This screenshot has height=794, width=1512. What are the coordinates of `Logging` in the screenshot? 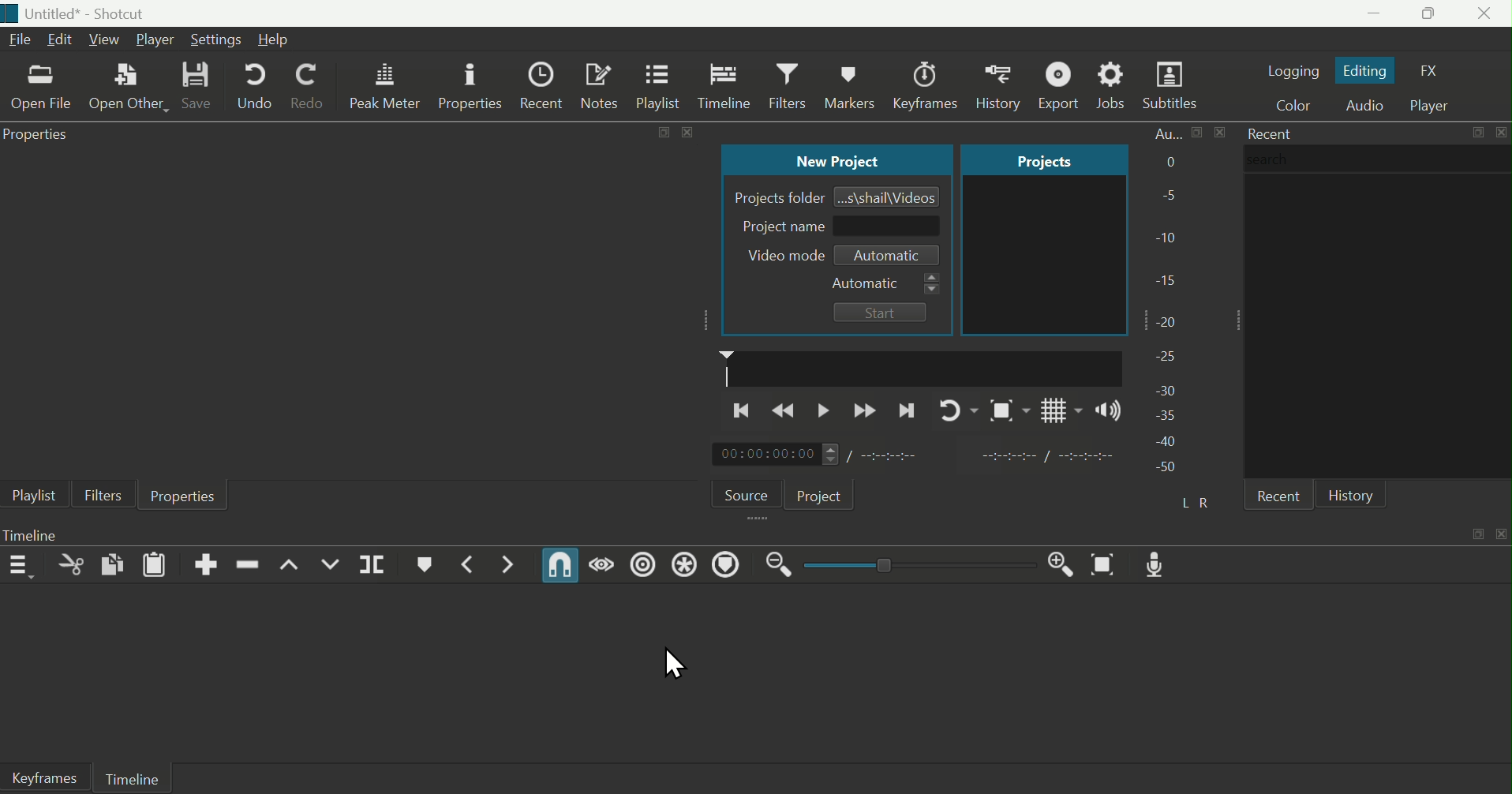 It's located at (1293, 68).